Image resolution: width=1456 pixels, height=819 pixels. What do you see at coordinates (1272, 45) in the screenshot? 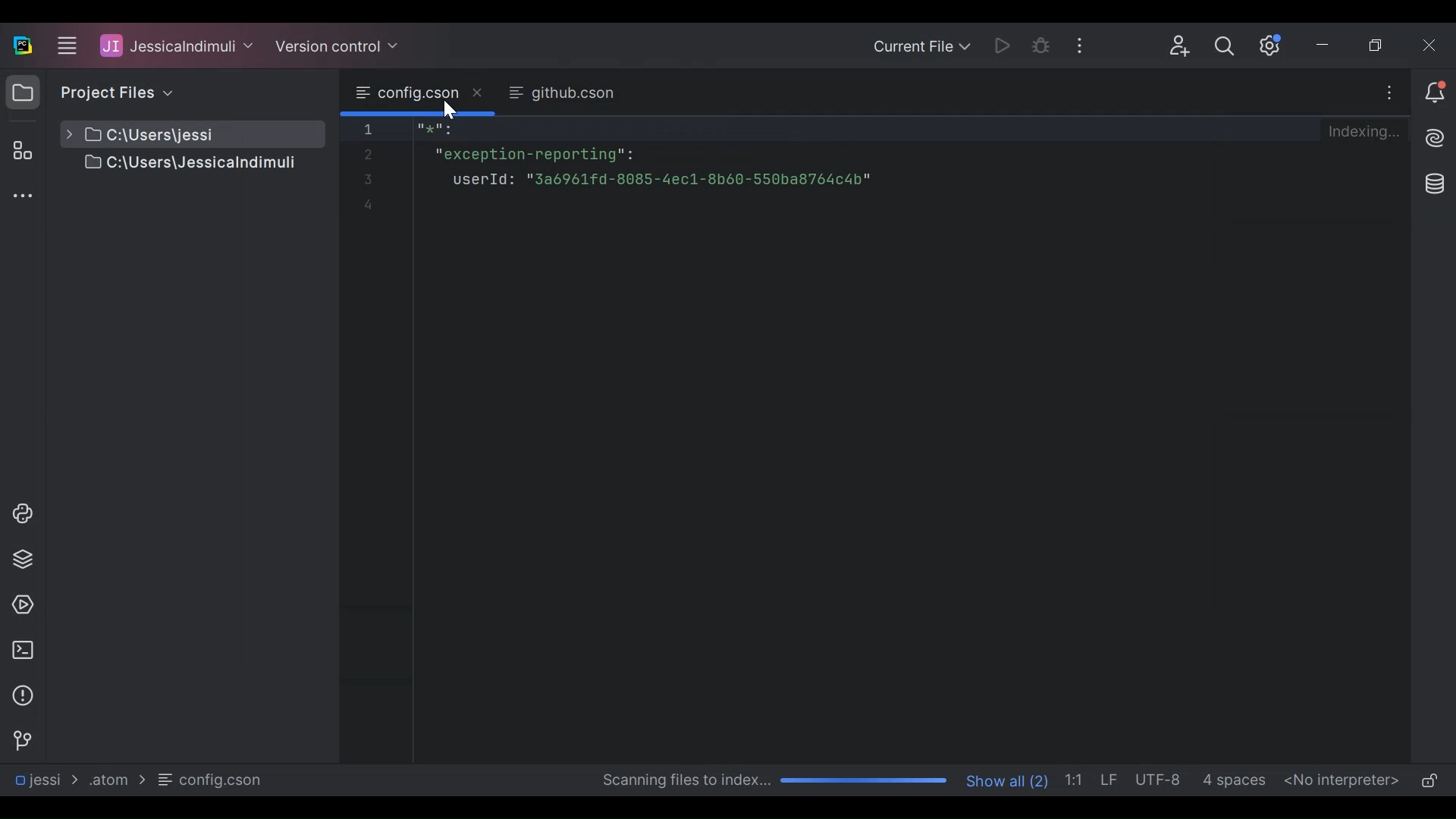
I see `Settings` at bounding box center [1272, 45].